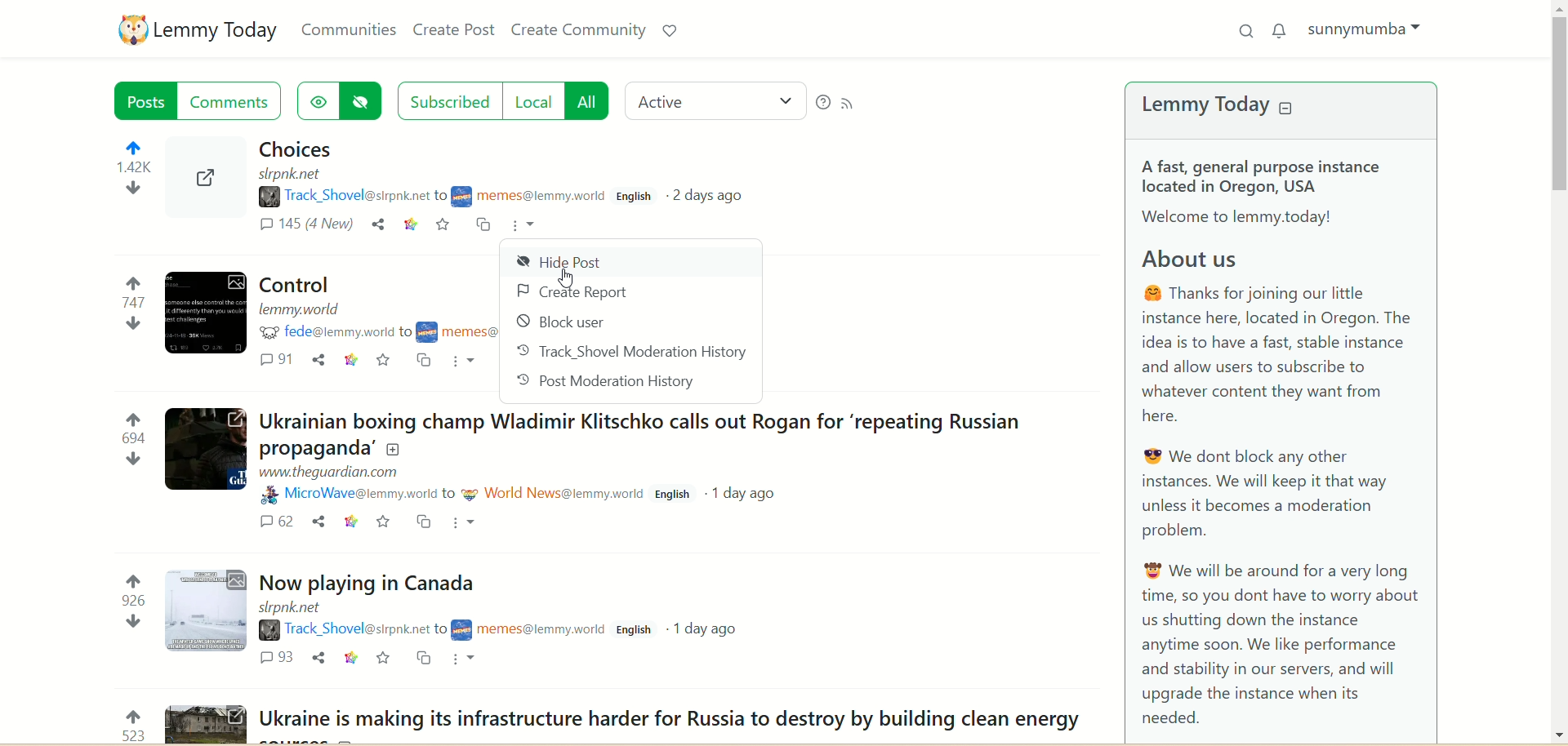  I want to click on cross post, so click(425, 658).